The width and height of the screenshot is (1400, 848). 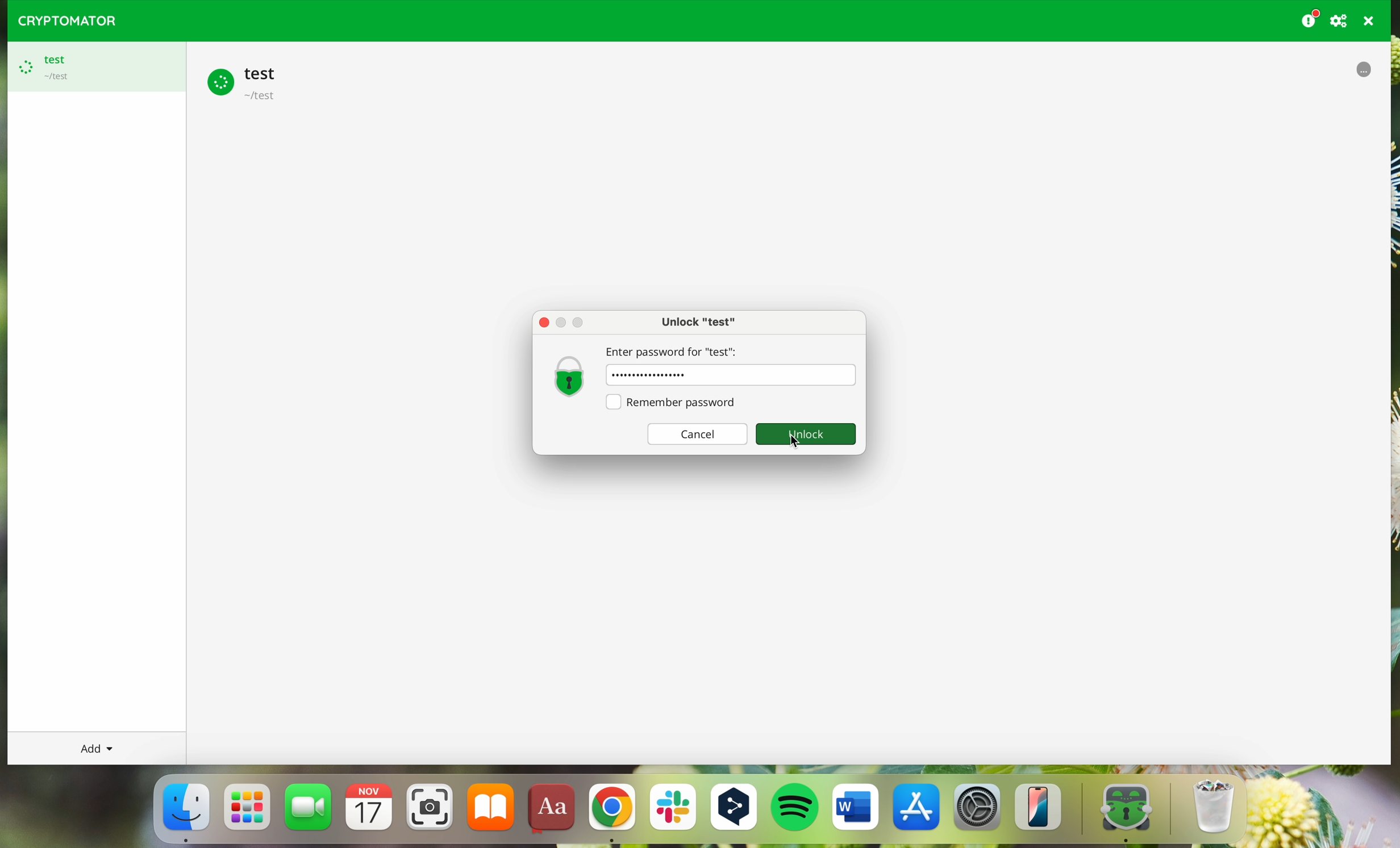 What do you see at coordinates (1363, 69) in the screenshot?
I see `processing` at bounding box center [1363, 69].